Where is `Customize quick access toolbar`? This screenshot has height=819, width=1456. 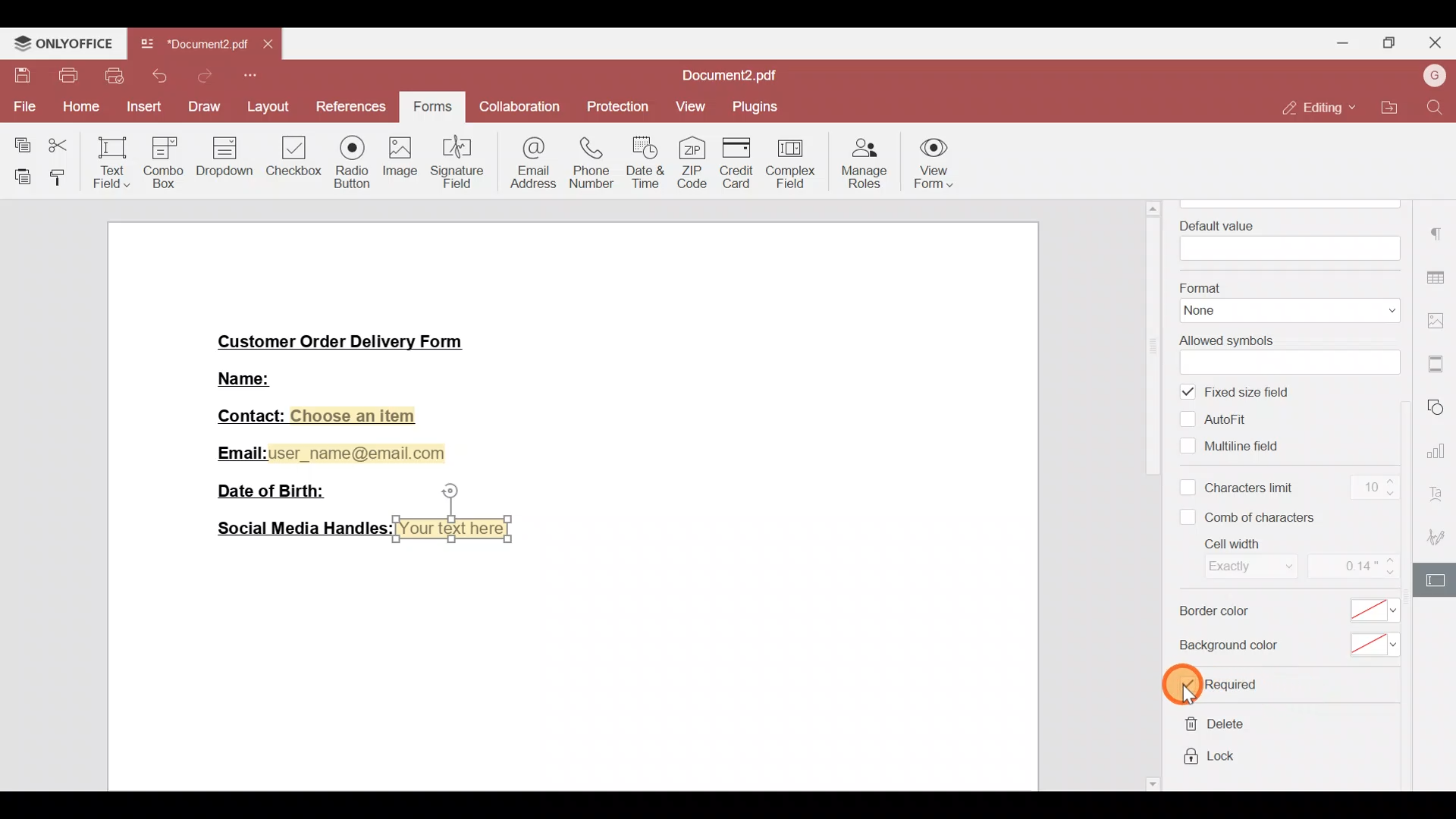
Customize quick access toolbar is located at coordinates (251, 76).